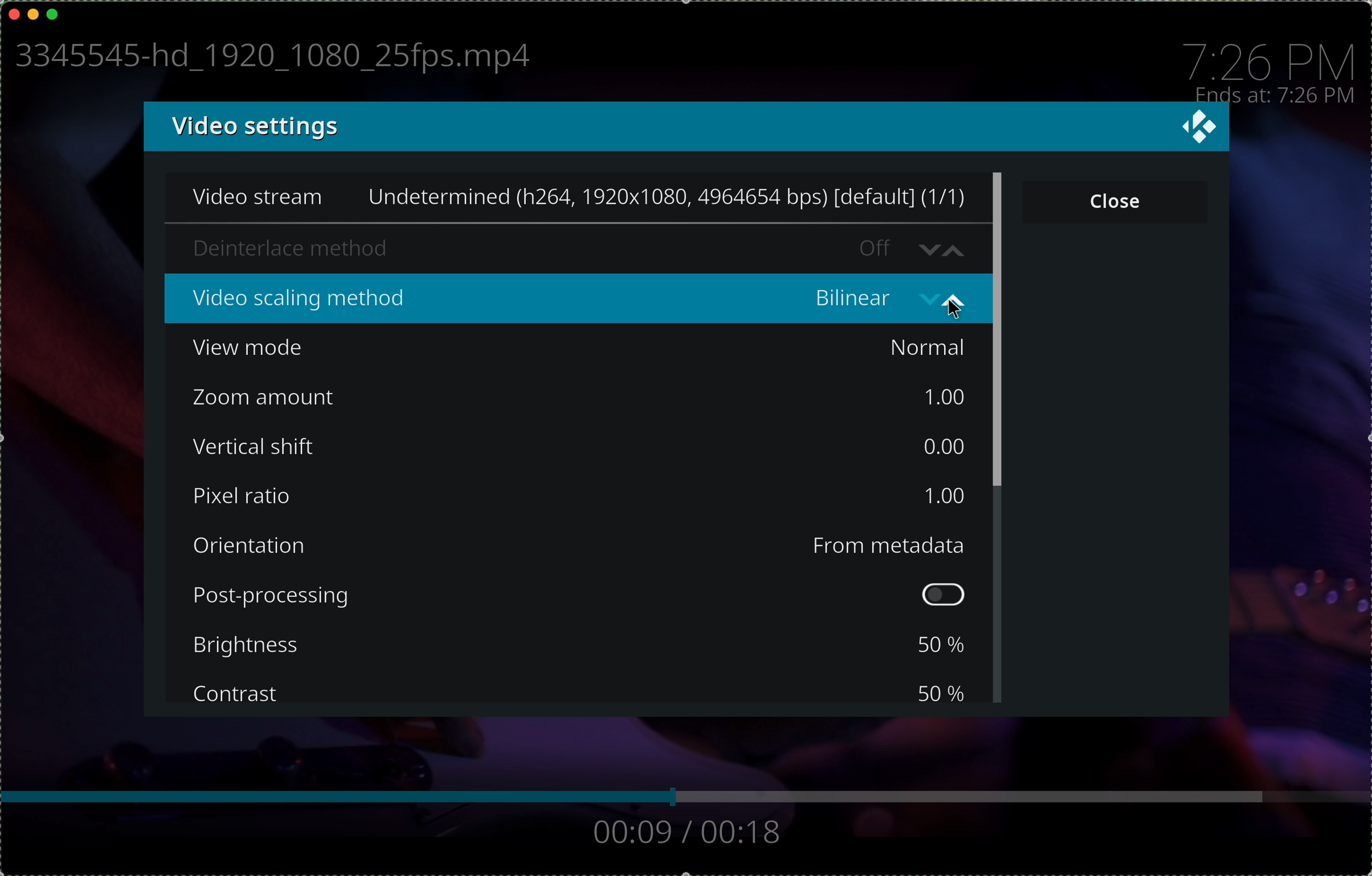 This screenshot has width=1372, height=876. What do you see at coordinates (941, 495) in the screenshot?
I see `1.00` at bounding box center [941, 495].